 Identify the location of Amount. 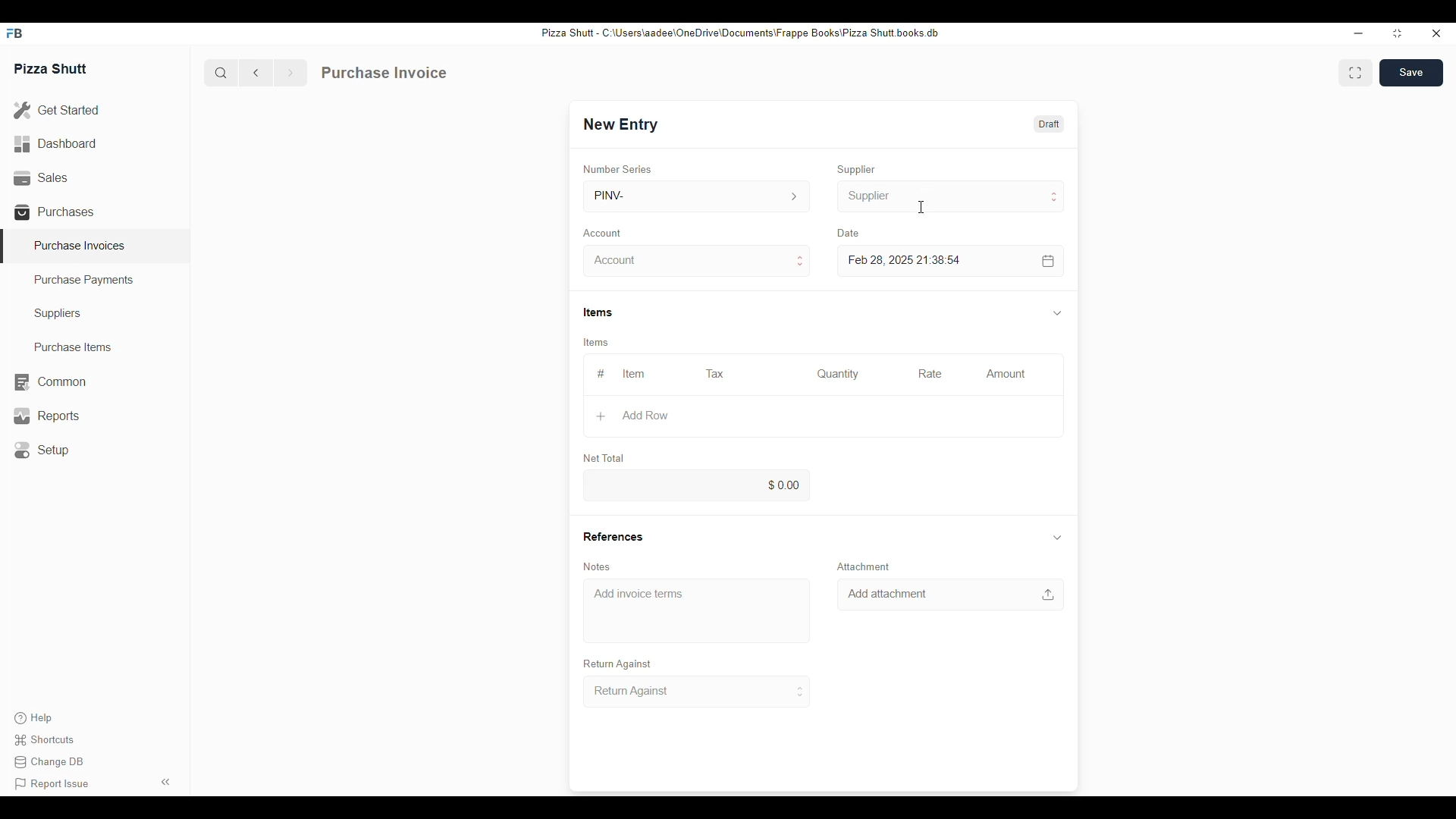
(1006, 373).